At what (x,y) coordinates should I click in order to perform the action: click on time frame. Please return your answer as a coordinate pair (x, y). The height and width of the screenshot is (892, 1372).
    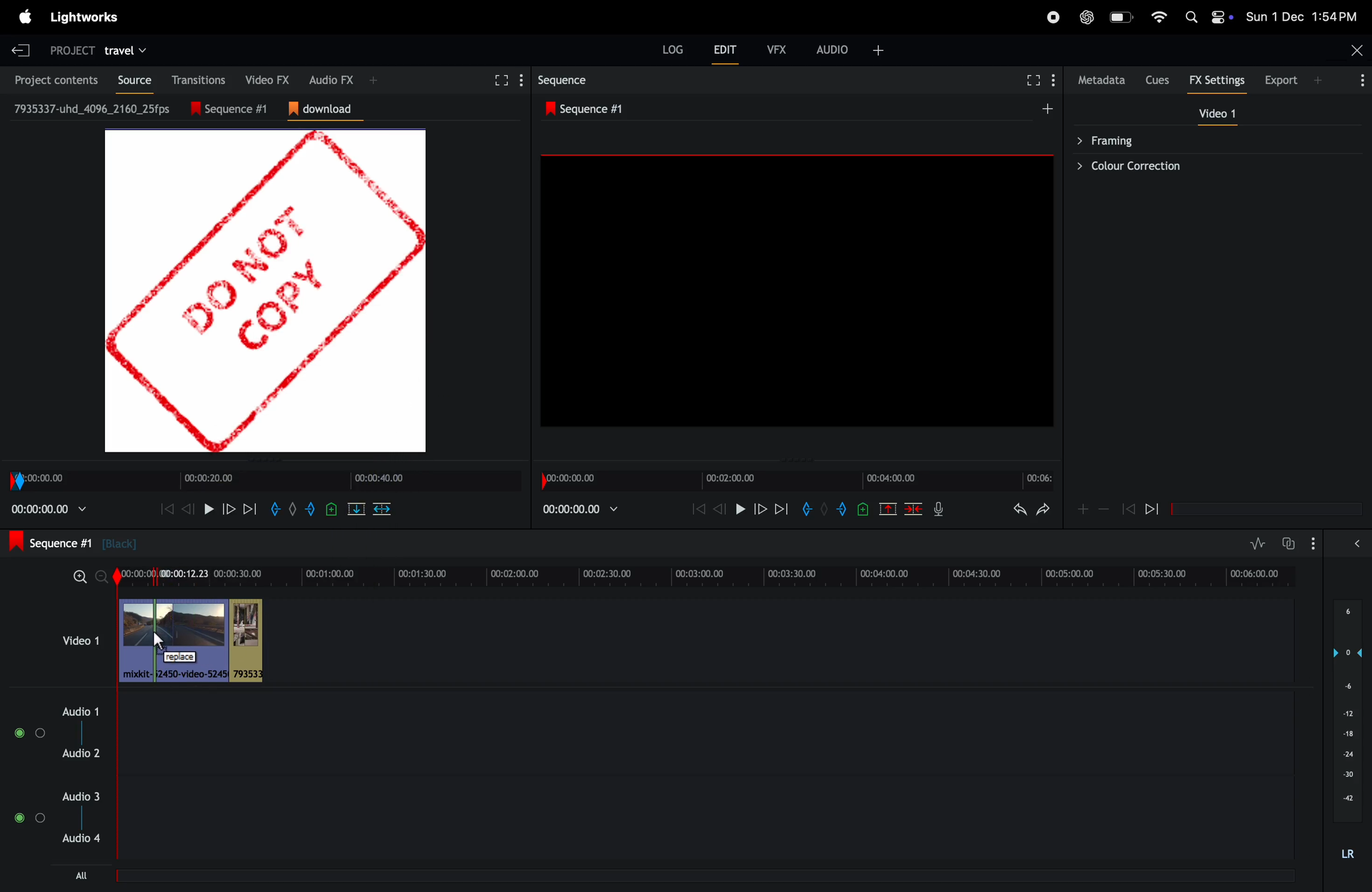
    Looking at the image, I should click on (265, 481).